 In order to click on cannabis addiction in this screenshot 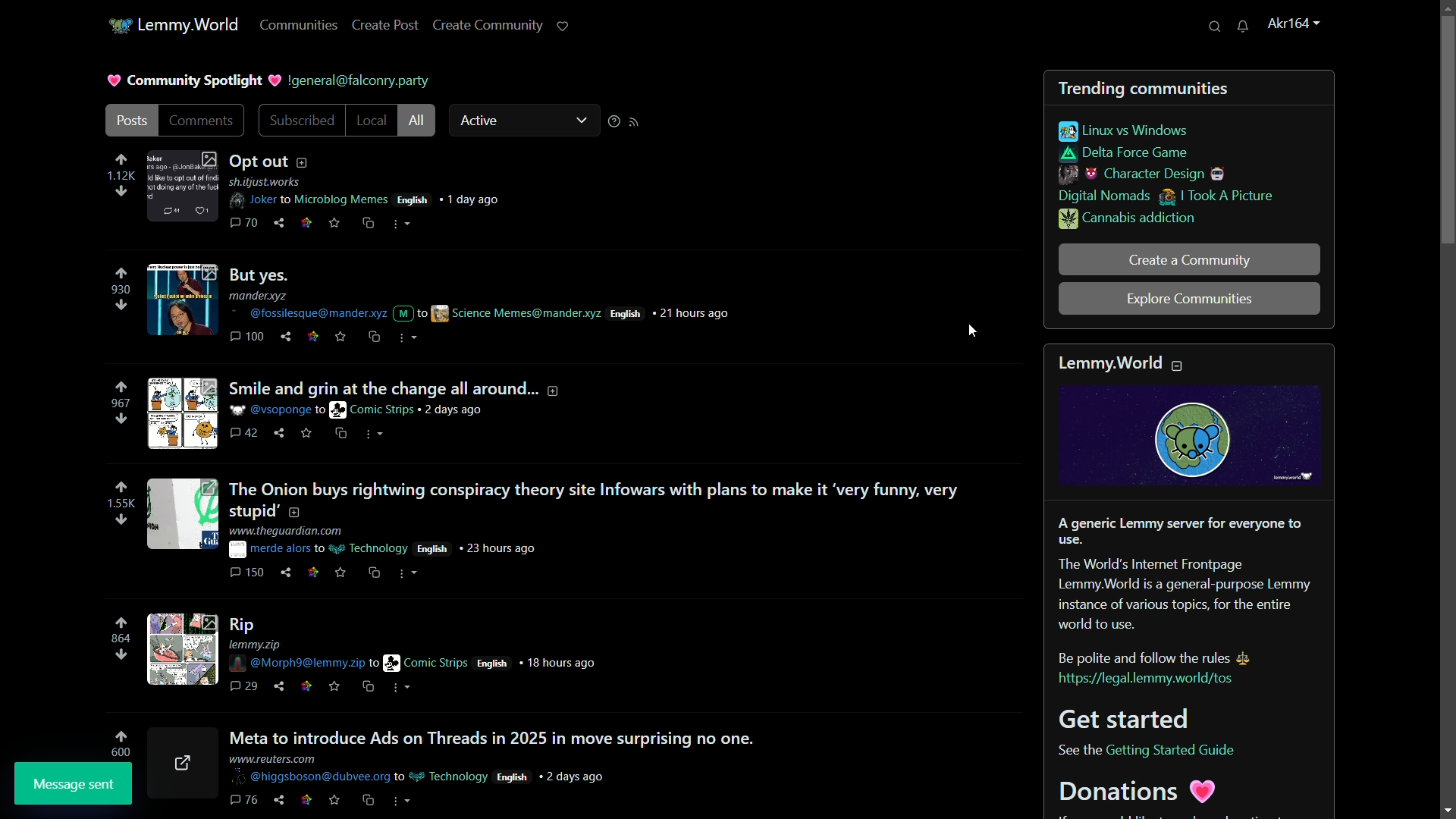, I will do `click(1126, 220)`.